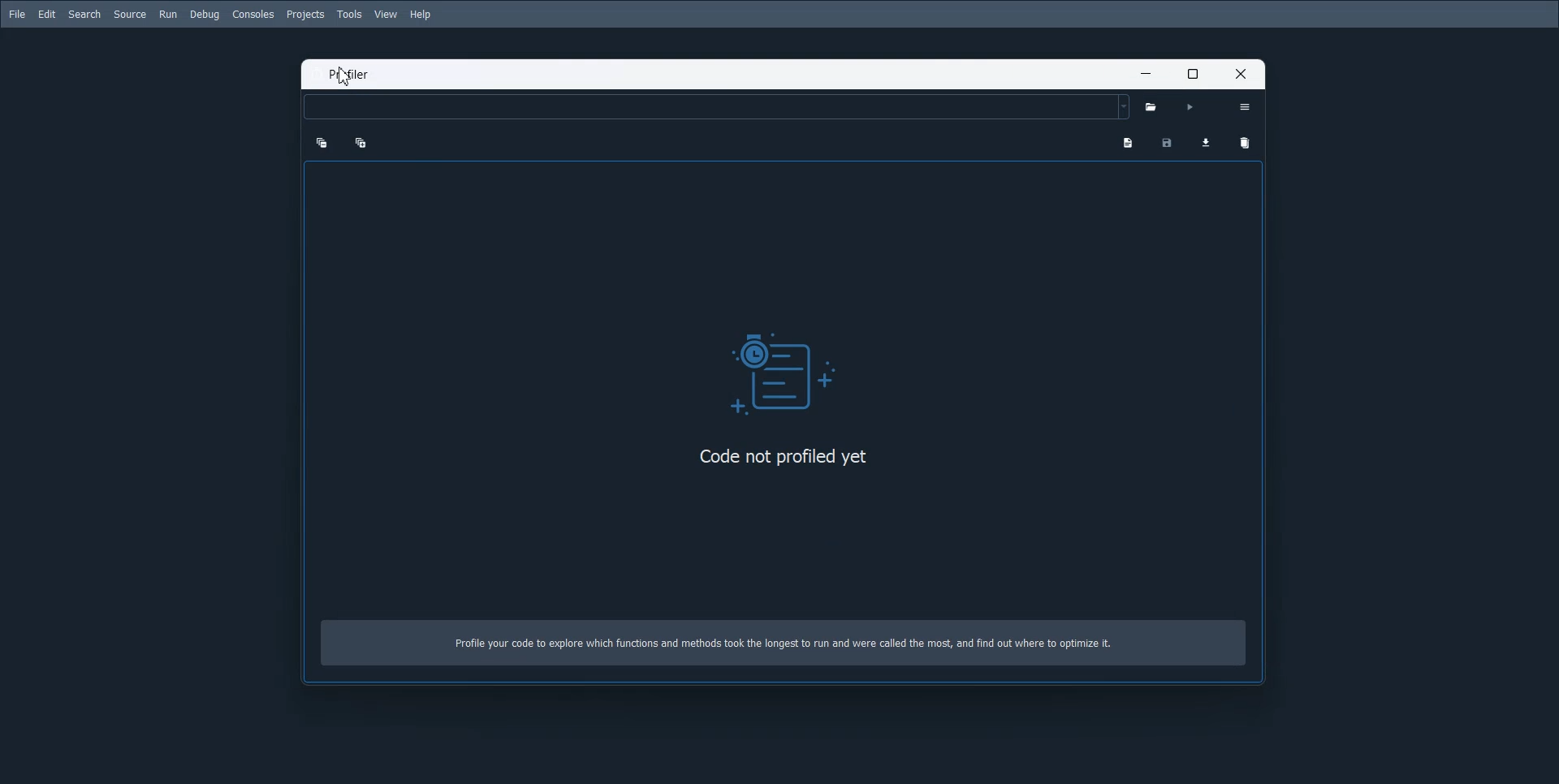 Image resolution: width=1559 pixels, height=784 pixels. What do you see at coordinates (783, 457) in the screenshot?
I see `code not profiled yet` at bounding box center [783, 457].